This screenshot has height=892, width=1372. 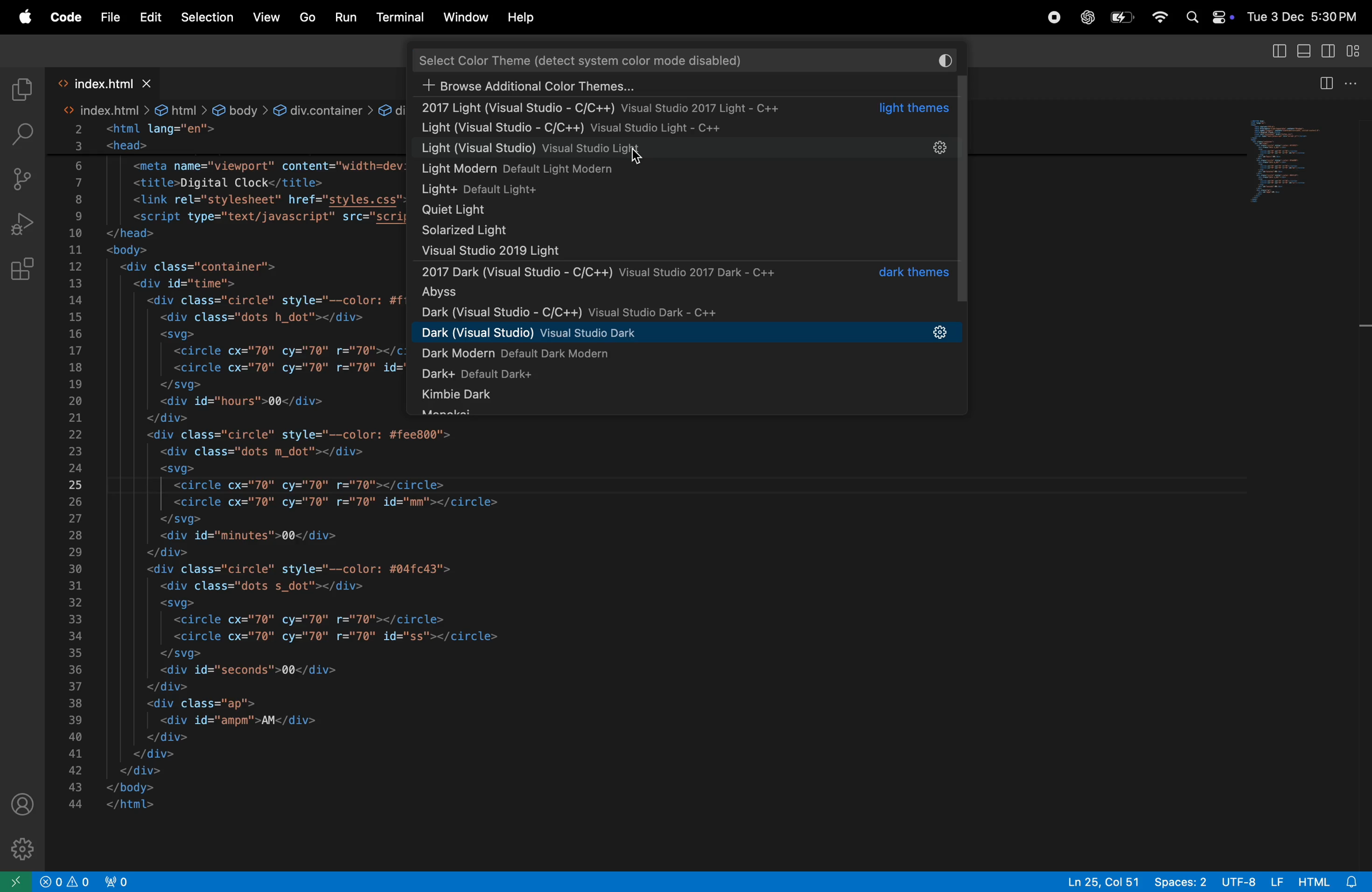 I want to click on file, so click(x=107, y=17).